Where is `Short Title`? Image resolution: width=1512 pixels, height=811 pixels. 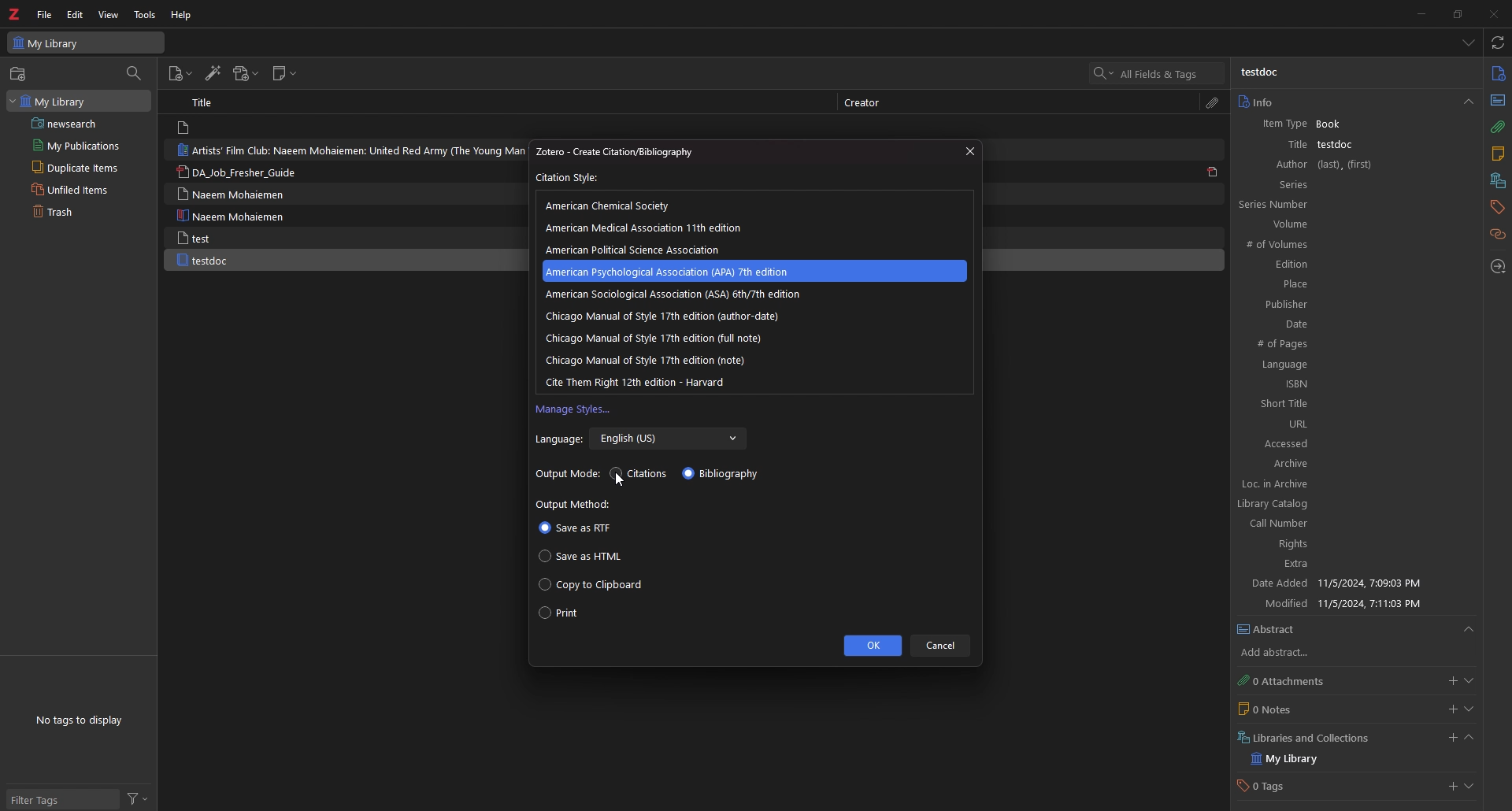 Short Title is located at coordinates (1353, 404).